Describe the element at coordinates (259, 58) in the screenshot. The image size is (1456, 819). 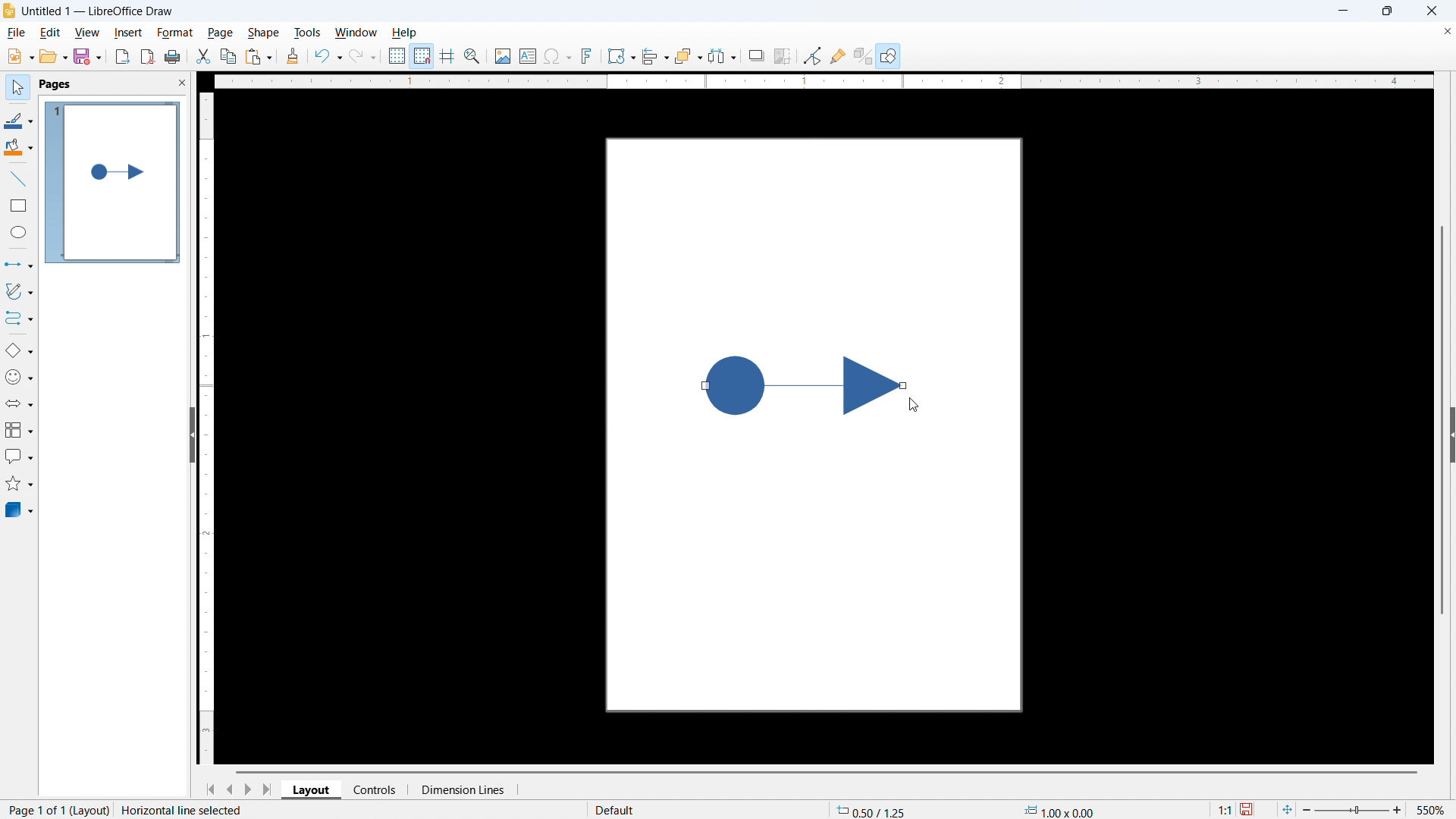
I see ` paste ` at that location.